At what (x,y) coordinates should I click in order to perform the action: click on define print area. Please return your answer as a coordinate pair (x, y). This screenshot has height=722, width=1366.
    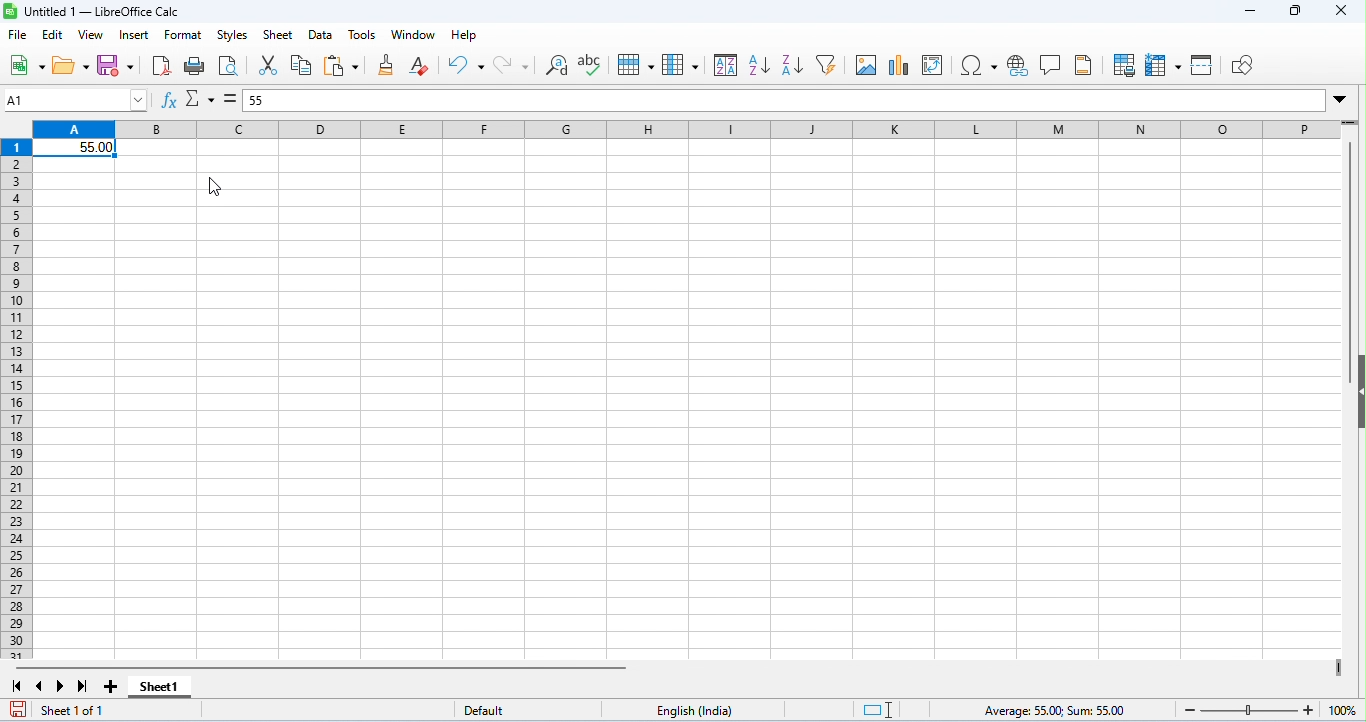
    Looking at the image, I should click on (1124, 65).